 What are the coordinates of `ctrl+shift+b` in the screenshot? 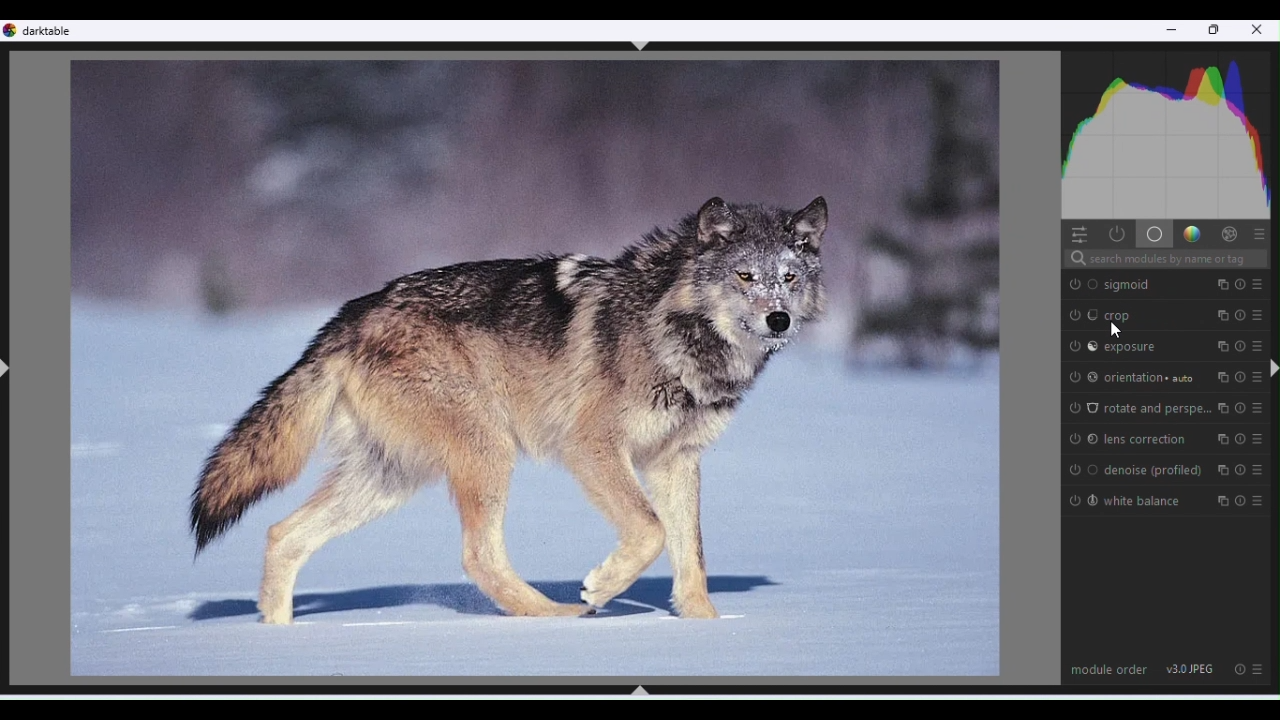 It's located at (639, 690).